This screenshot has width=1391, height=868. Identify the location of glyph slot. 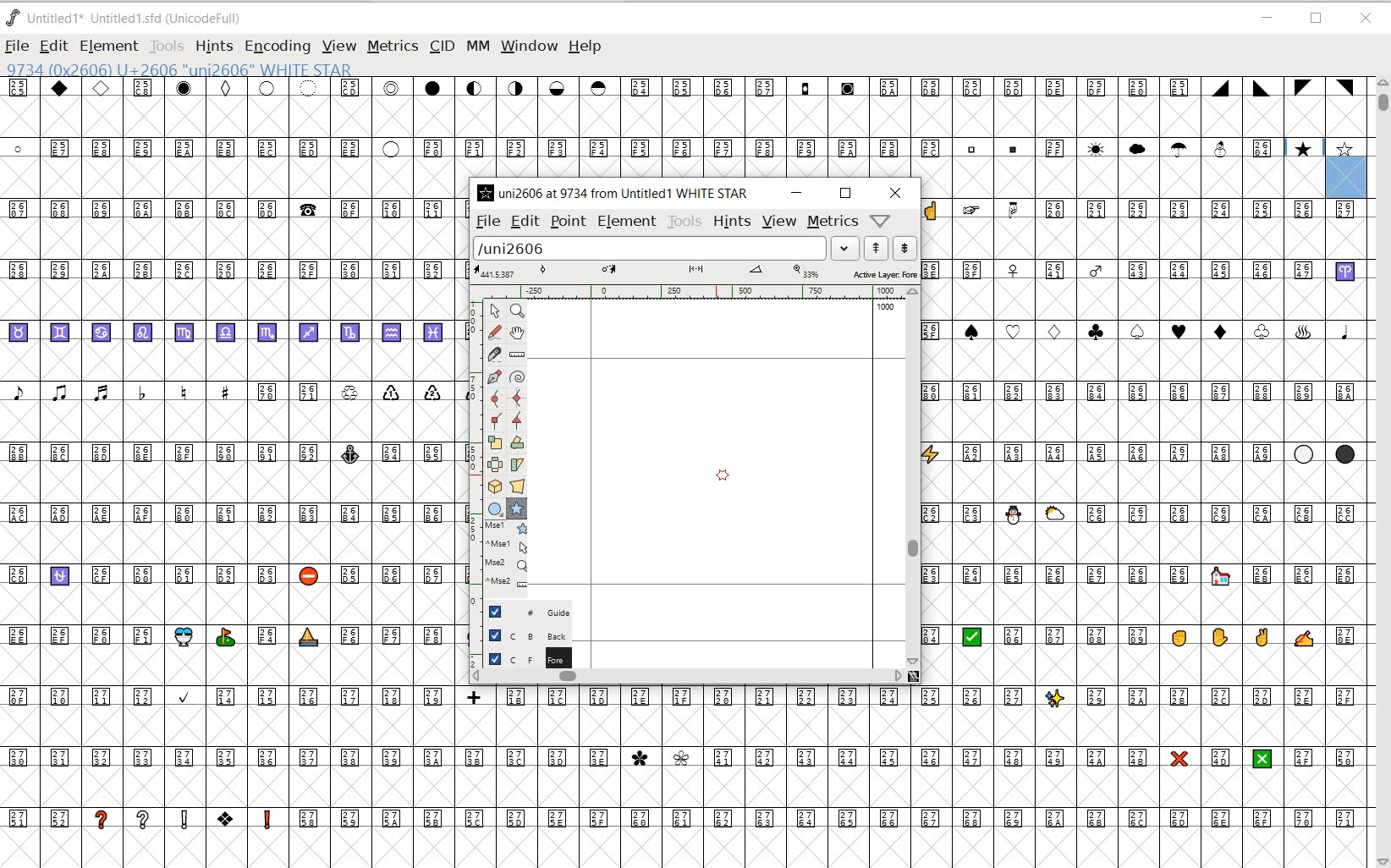
(1348, 170).